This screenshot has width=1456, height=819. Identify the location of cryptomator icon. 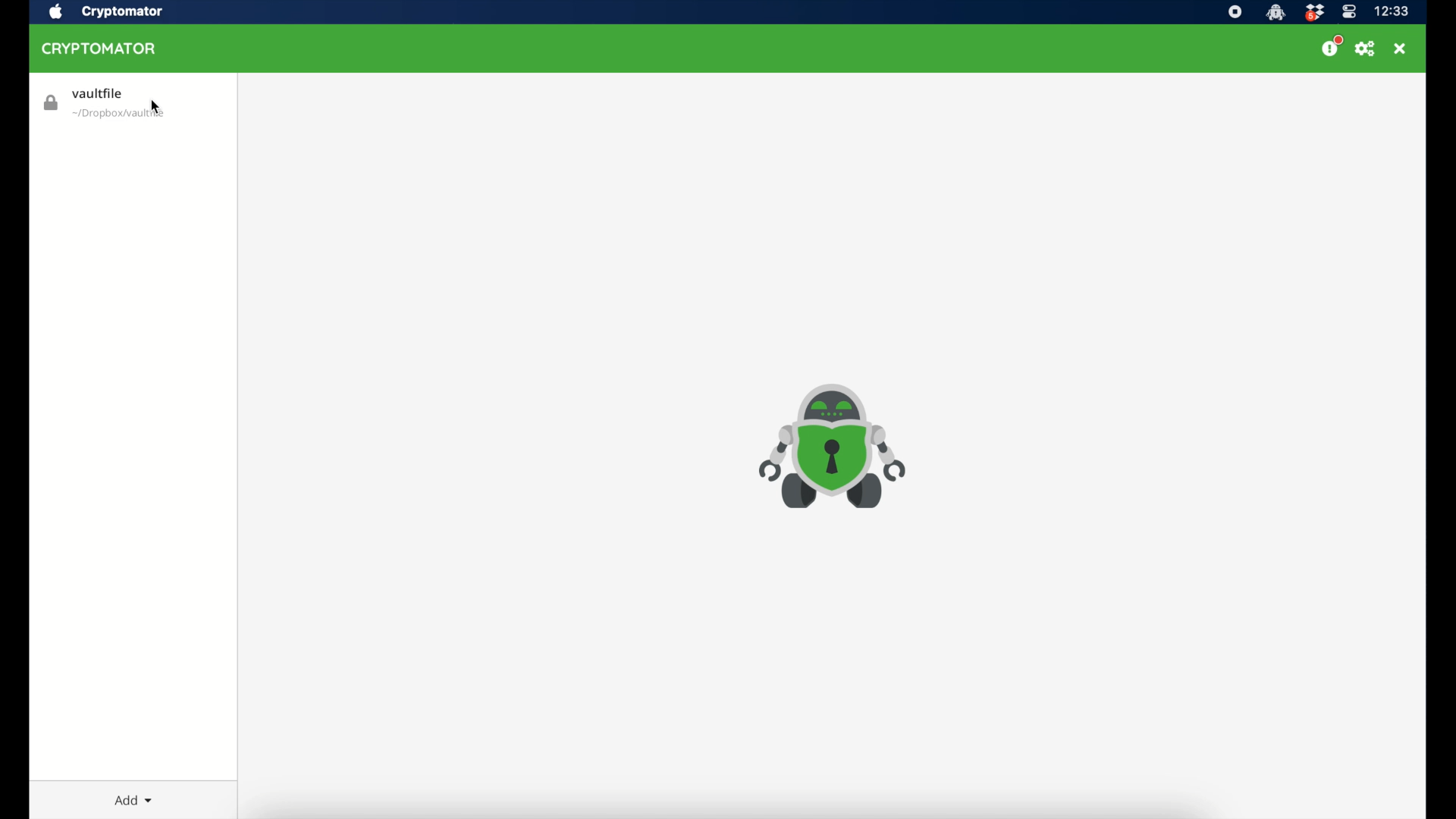
(832, 447).